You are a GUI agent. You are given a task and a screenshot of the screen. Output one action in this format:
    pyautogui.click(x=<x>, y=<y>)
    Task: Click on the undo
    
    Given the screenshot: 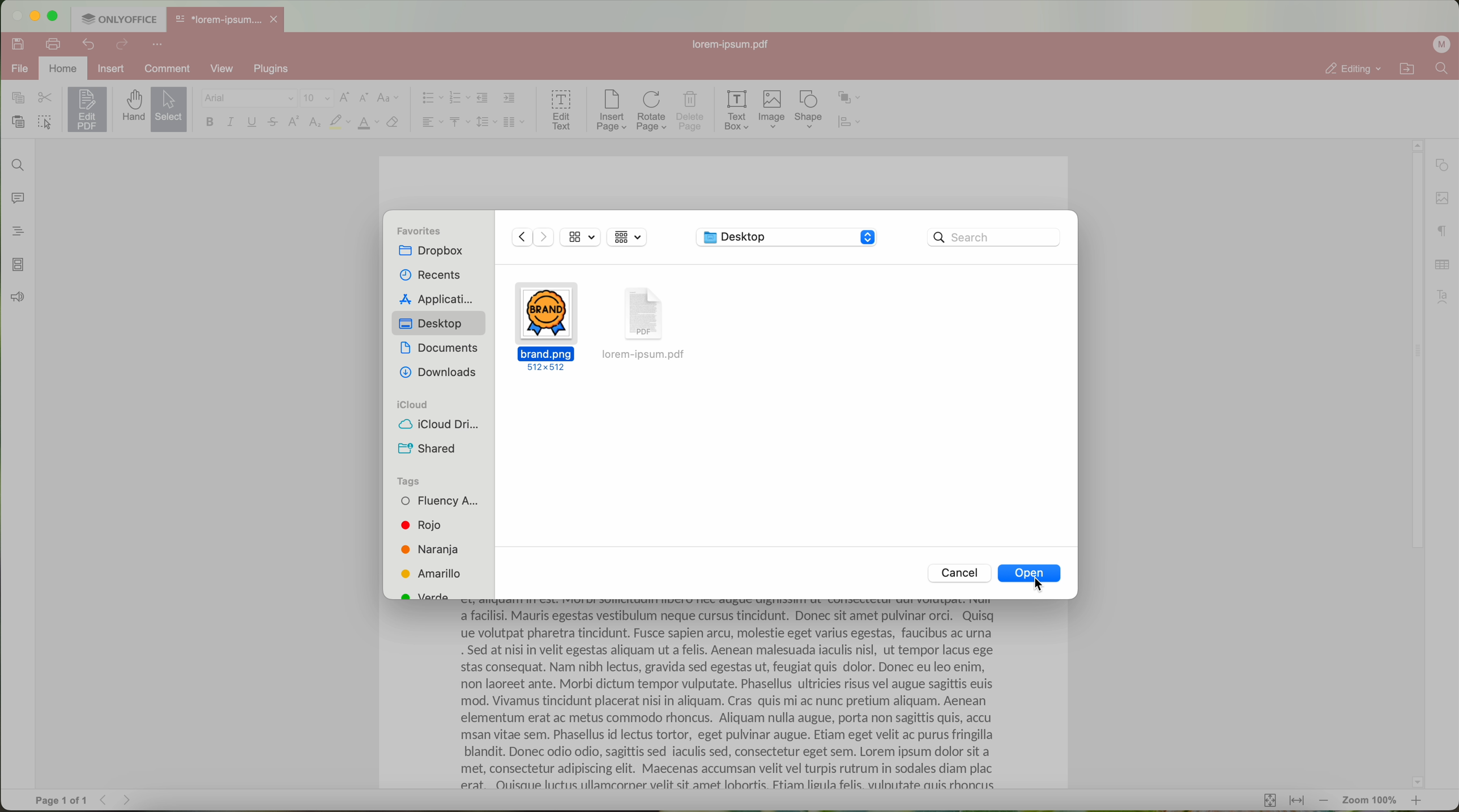 What is the action you would take?
    pyautogui.click(x=90, y=44)
    